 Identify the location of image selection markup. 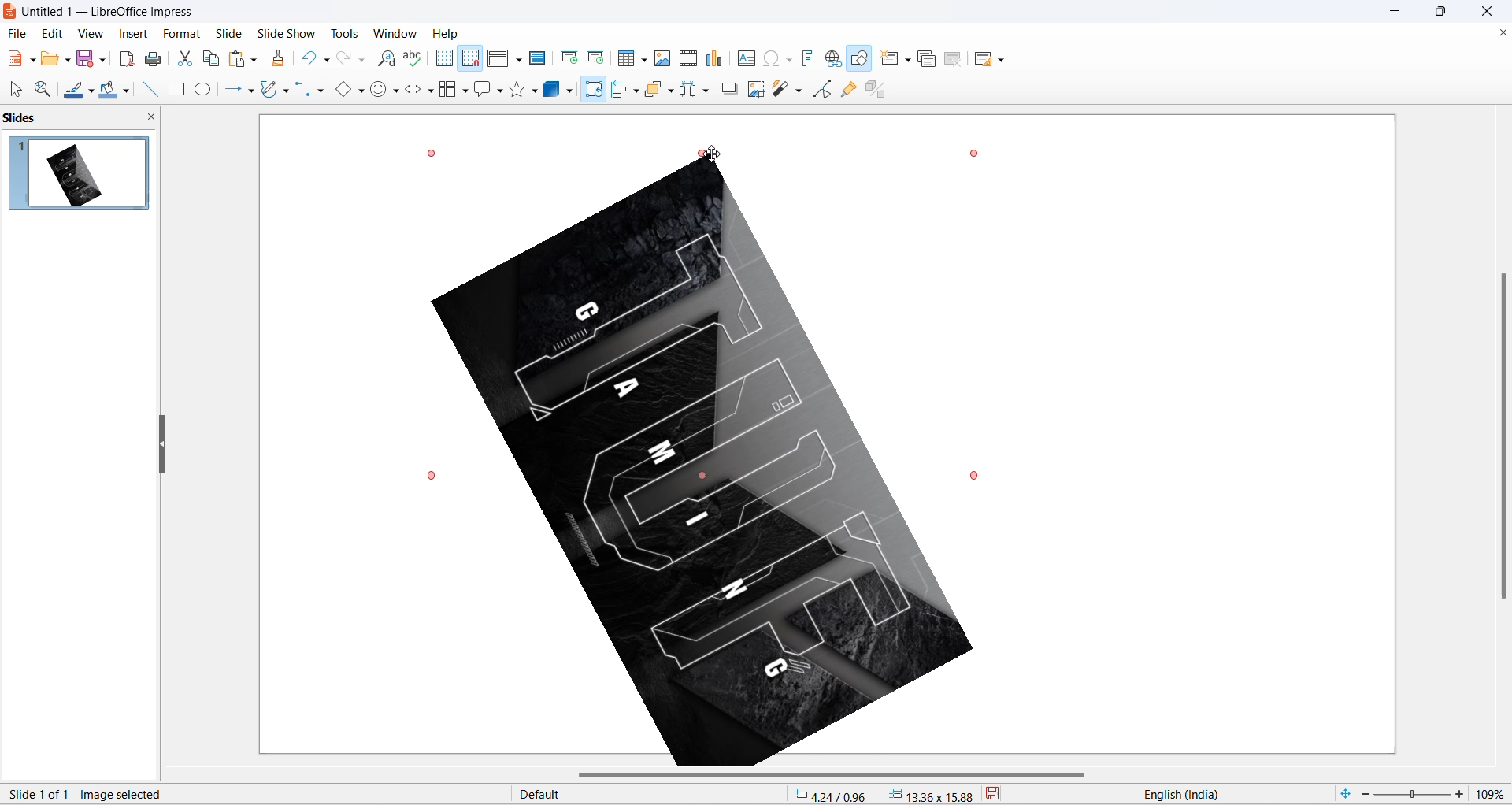
(979, 152).